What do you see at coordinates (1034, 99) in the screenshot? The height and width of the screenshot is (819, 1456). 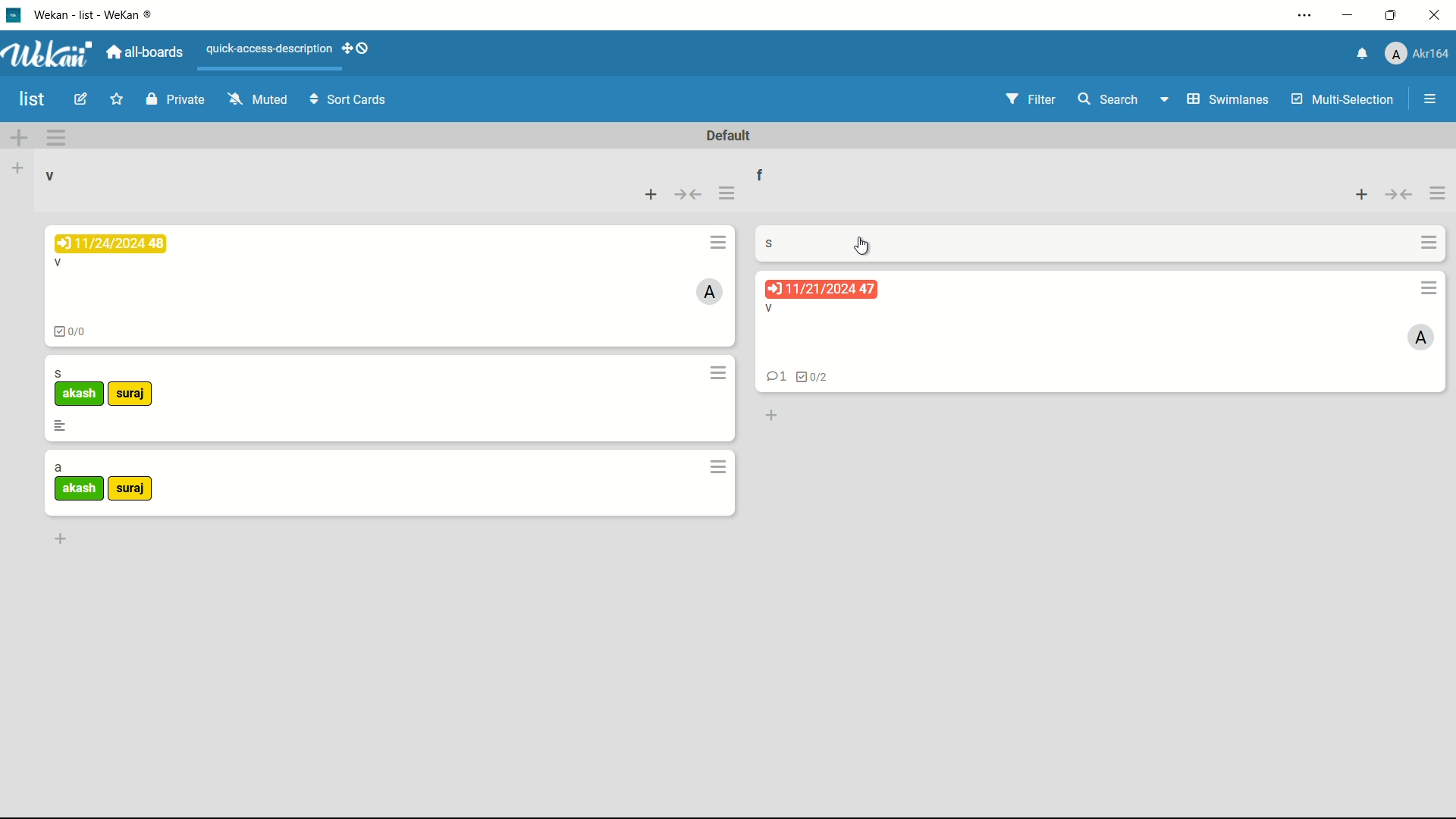 I see `filter` at bounding box center [1034, 99].